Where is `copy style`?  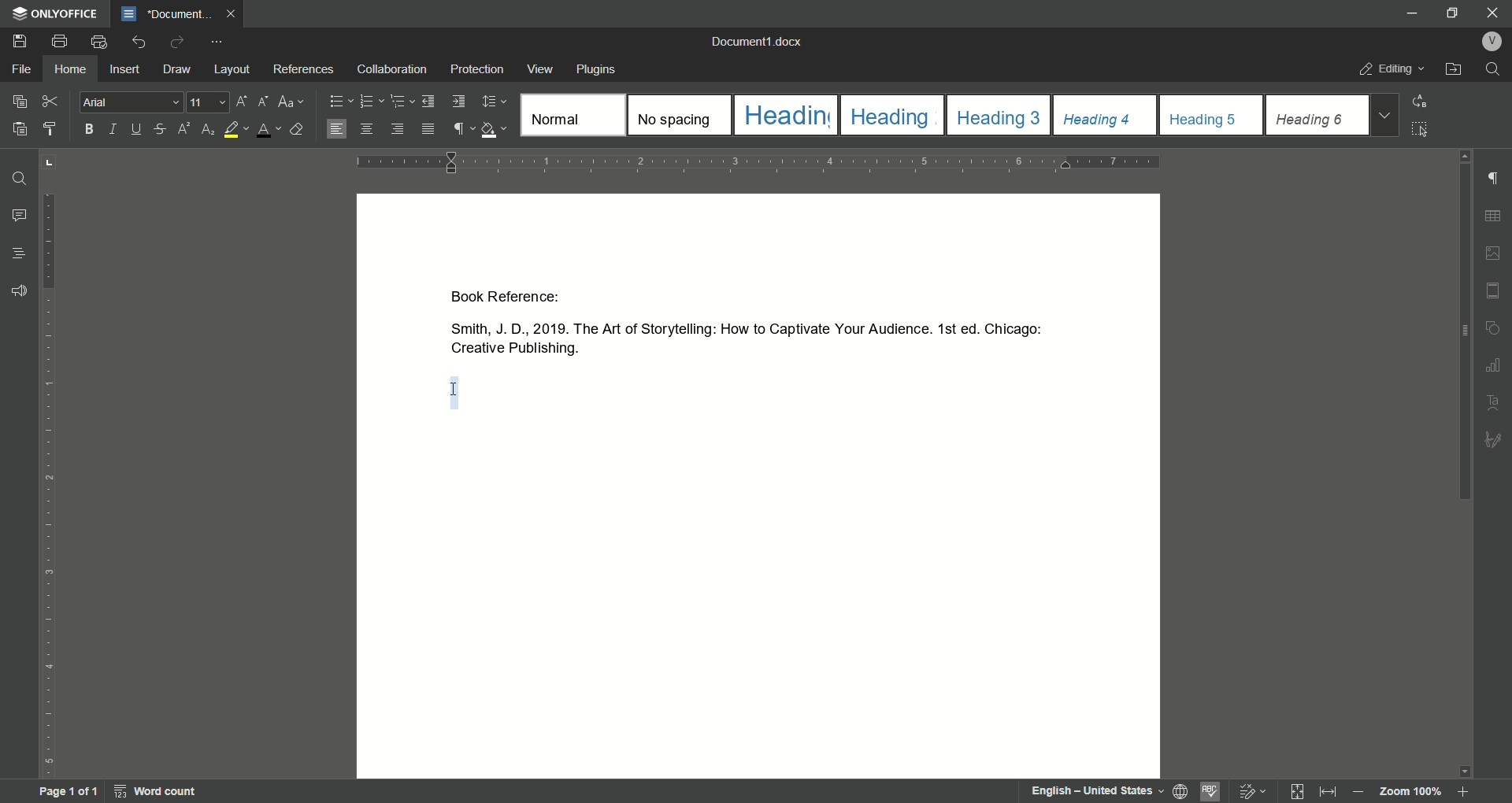
copy style is located at coordinates (53, 129).